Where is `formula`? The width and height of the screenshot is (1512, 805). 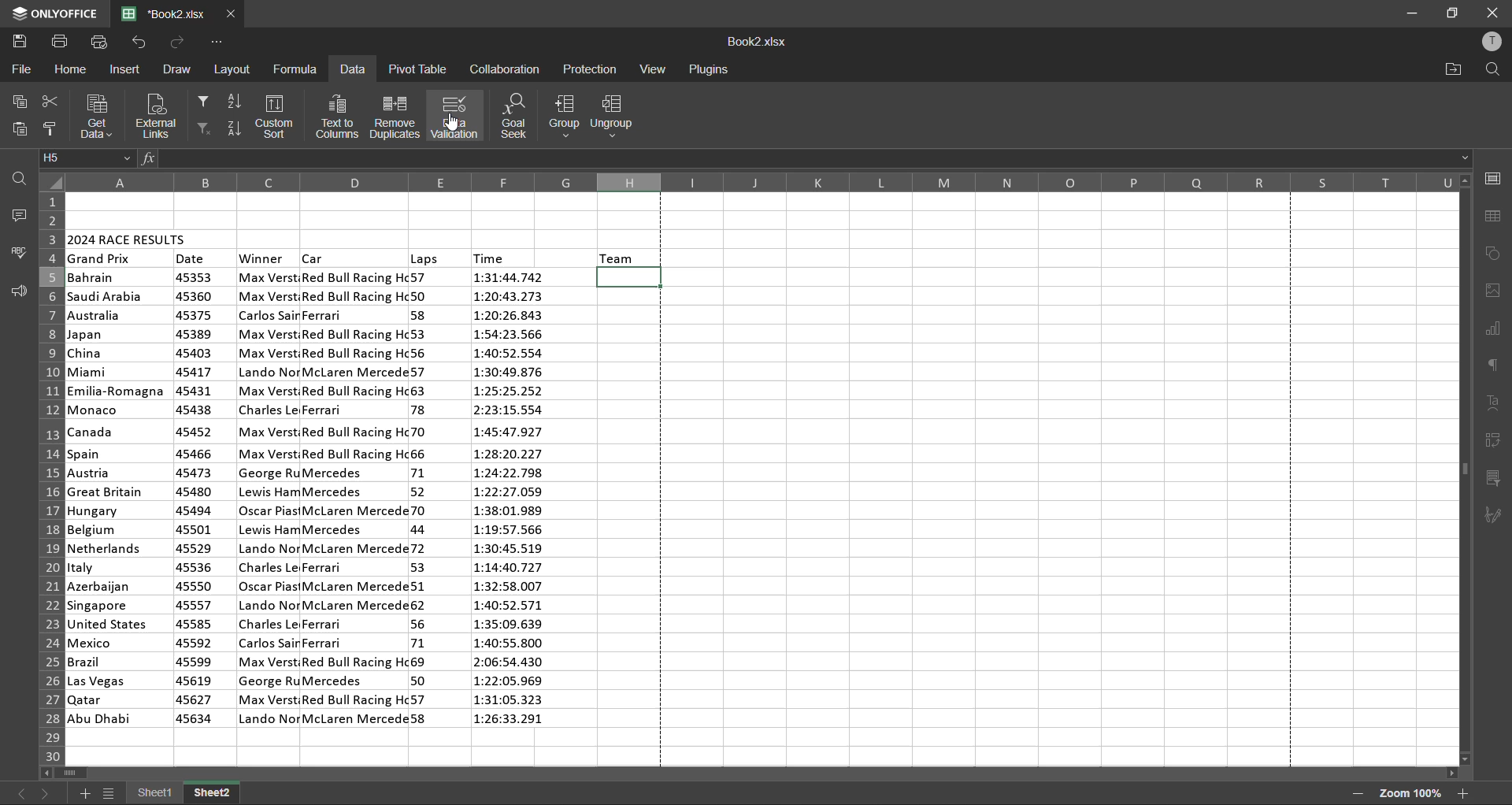 formula is located at coordinates (298, 68).